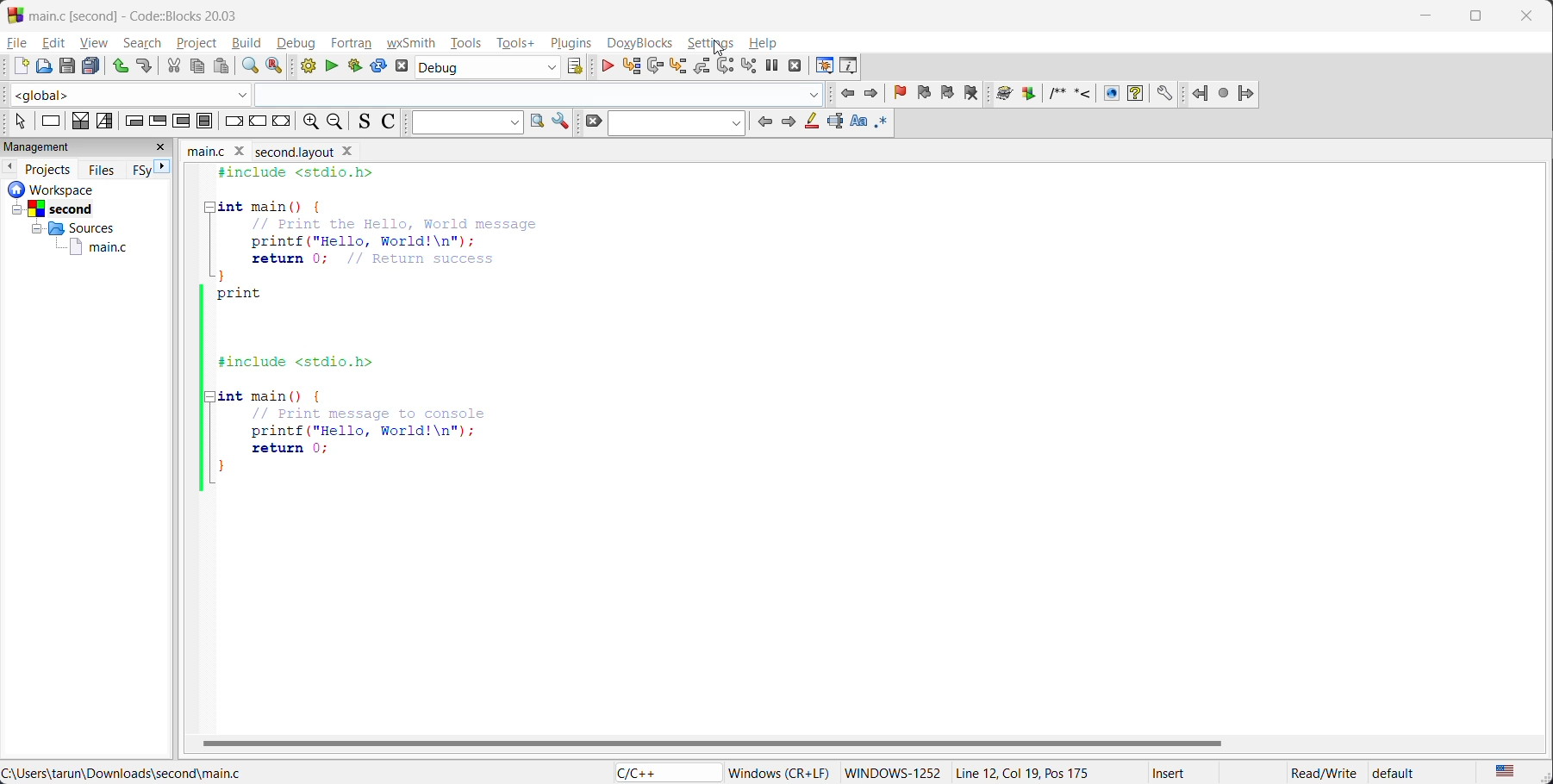 This screenshot has height=784, width=1553. Describe the element at coordinates (338, 121) in the screenshot. I see `zoom out` at that location.